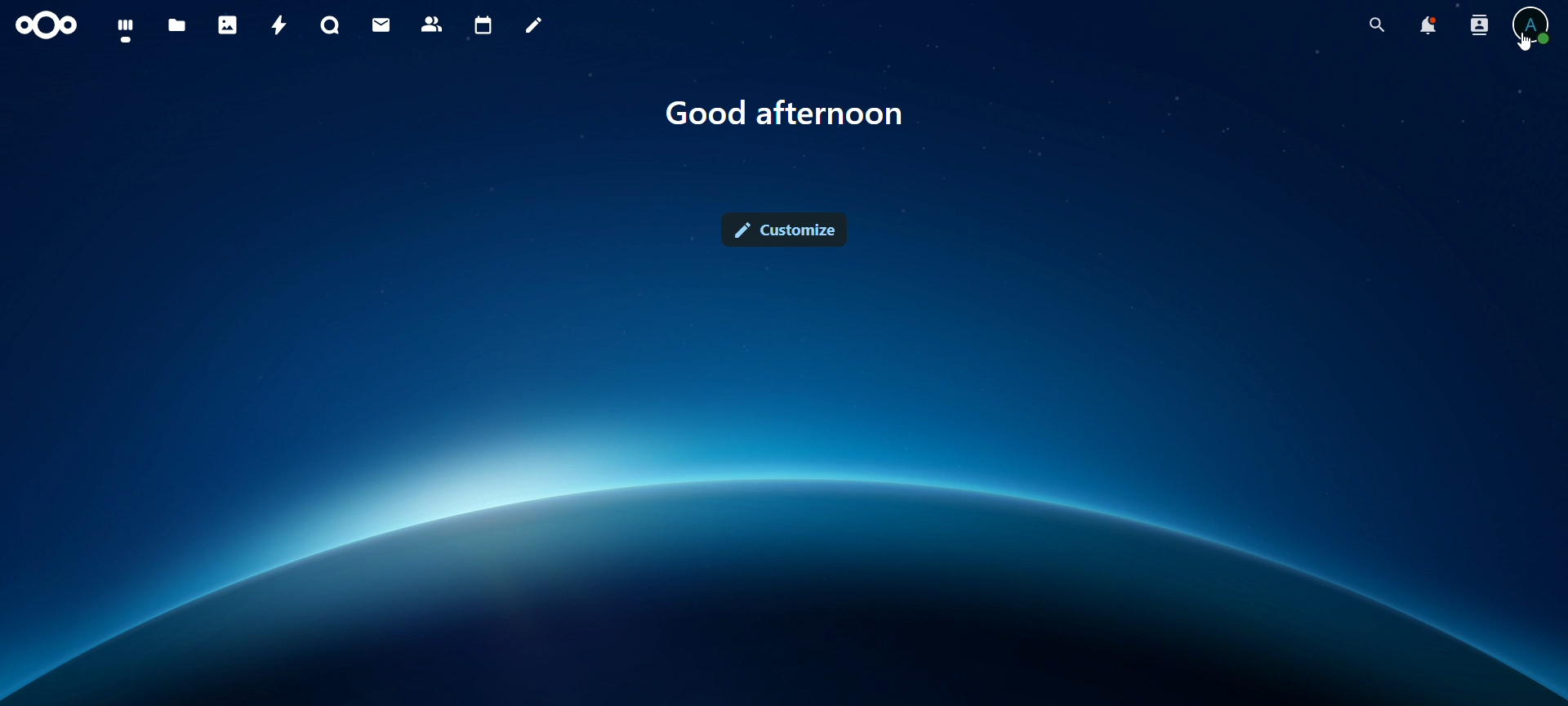 The width and height of the screenshot is (1568, 706). Describe the element at coordinates (126, 29) in the screenshot. I see `dashboard` at that location.